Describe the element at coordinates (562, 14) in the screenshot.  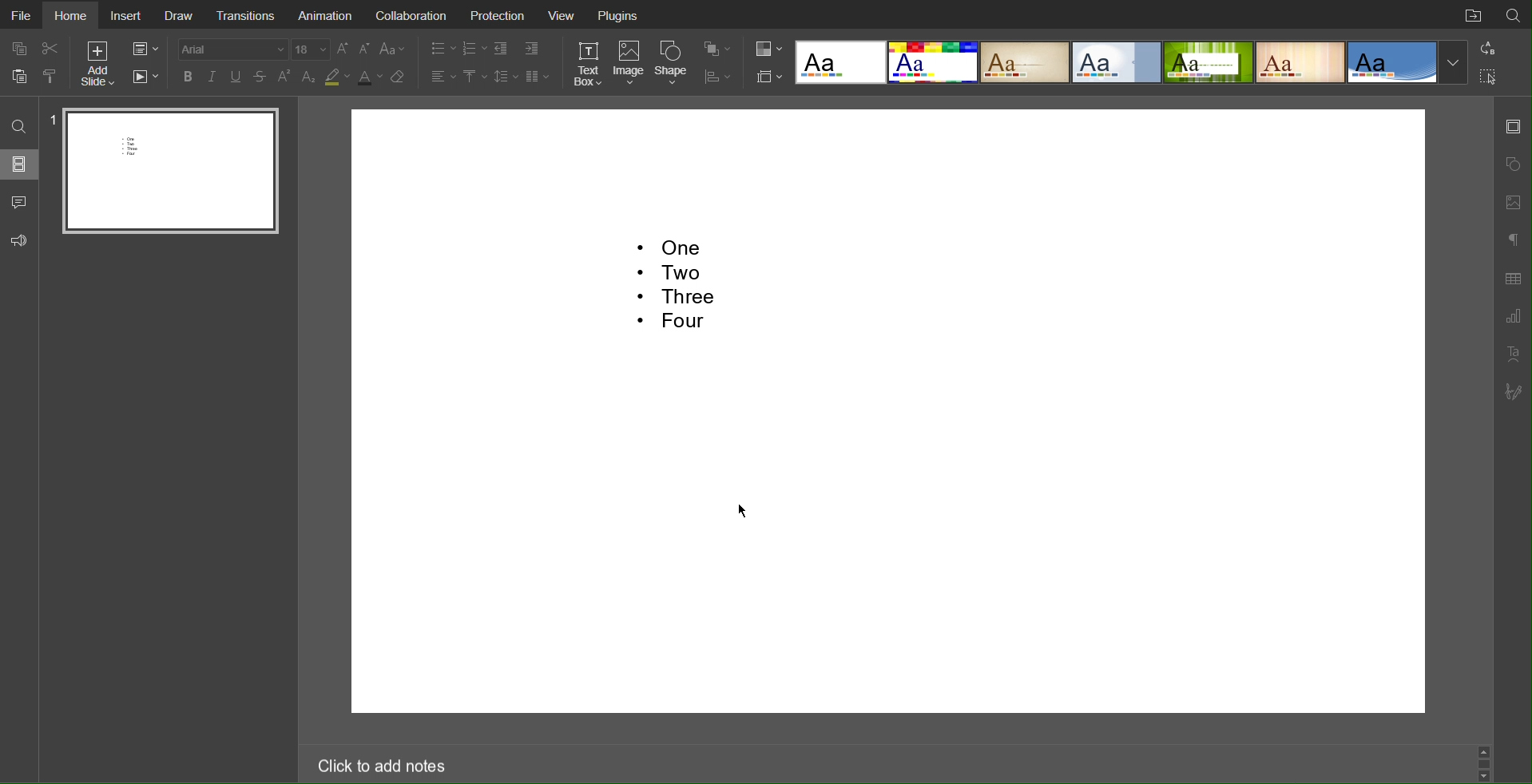
I see `View` at that location.